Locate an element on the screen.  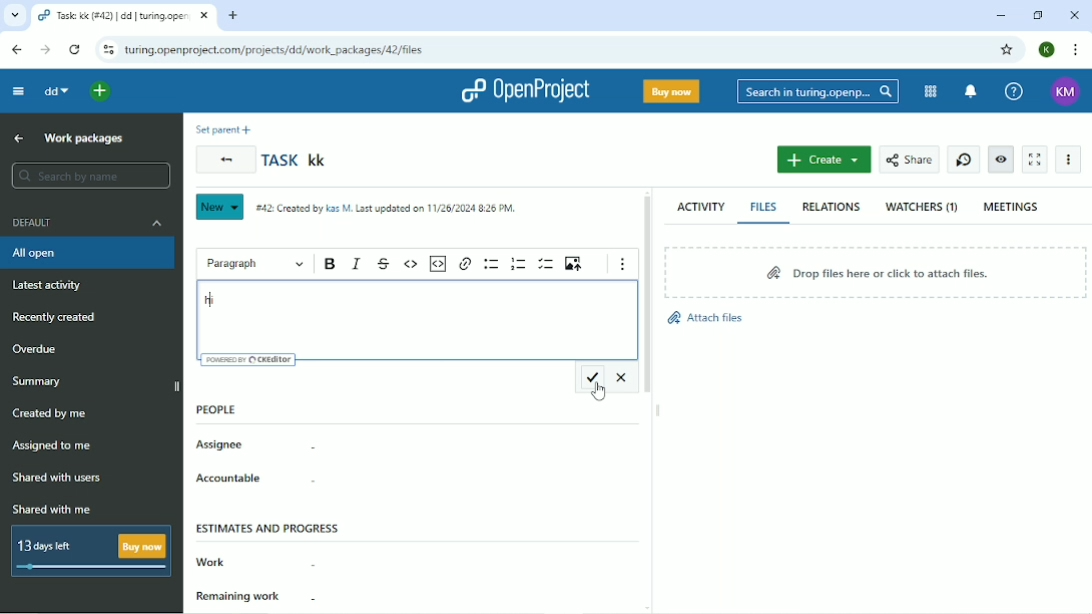
Recently created is located at coordinates (59, 318).